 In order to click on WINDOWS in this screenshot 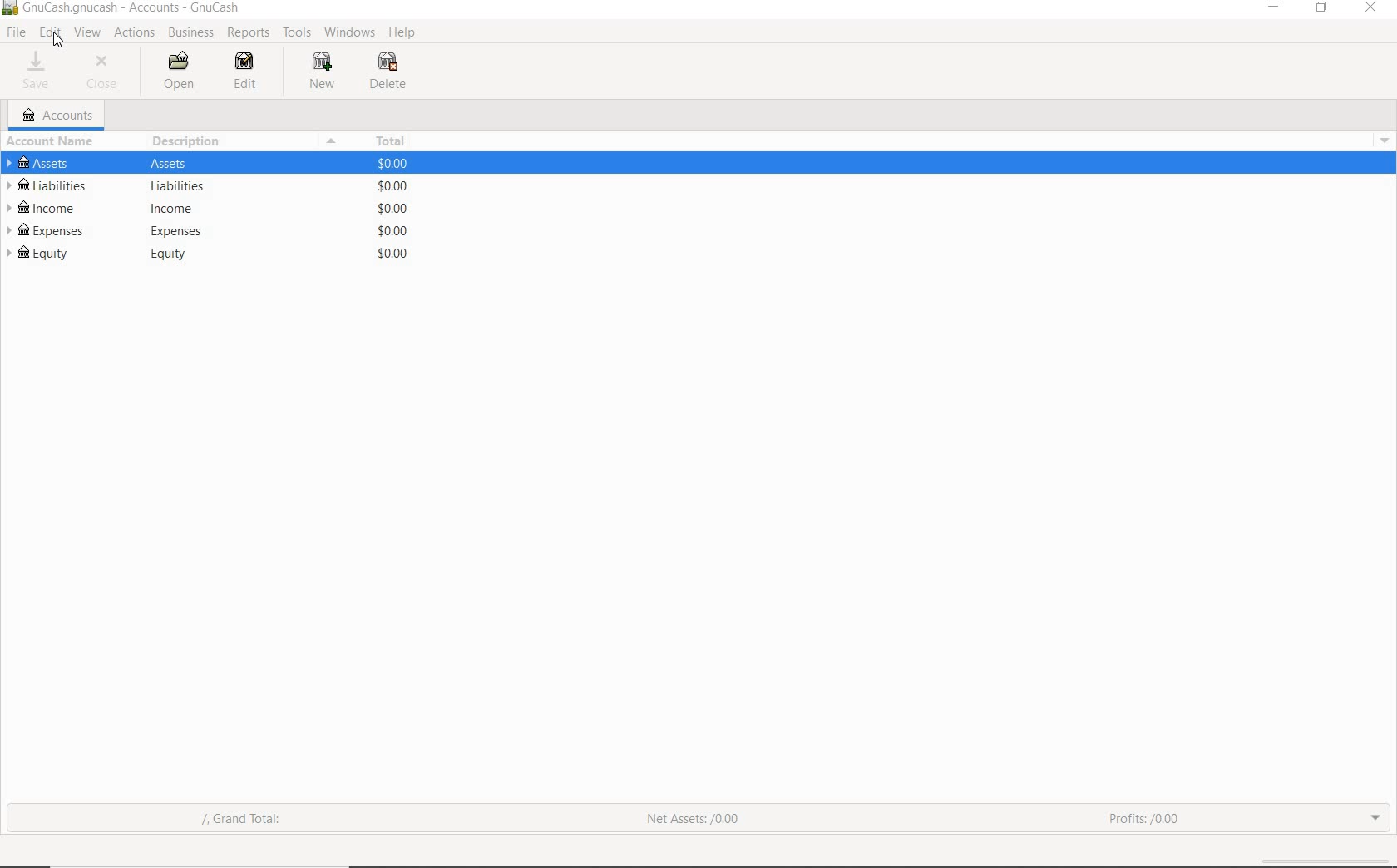, I will do `click(347, 32)`.